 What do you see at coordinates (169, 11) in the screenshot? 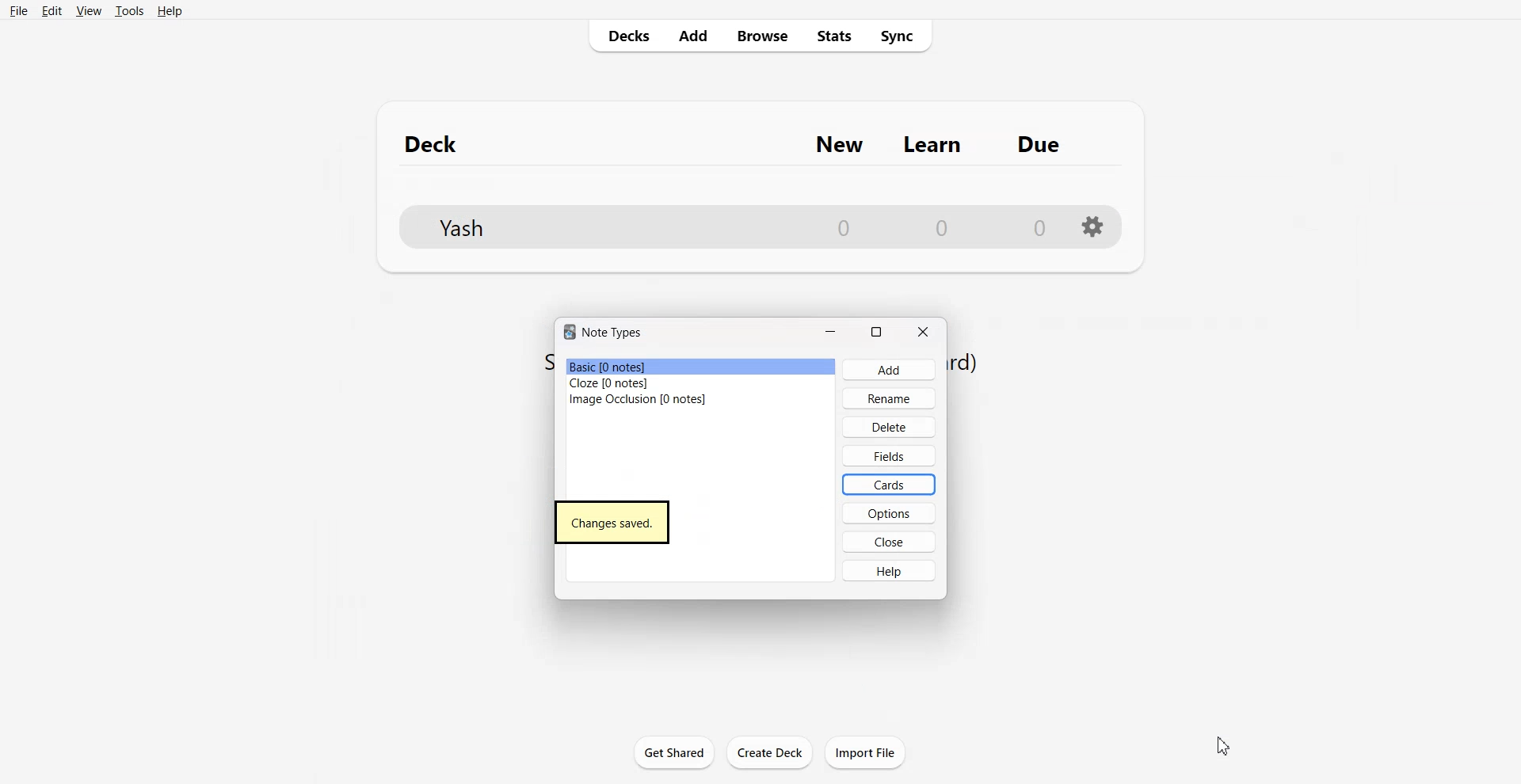
I see `Help` at bounding box center [169, 11].